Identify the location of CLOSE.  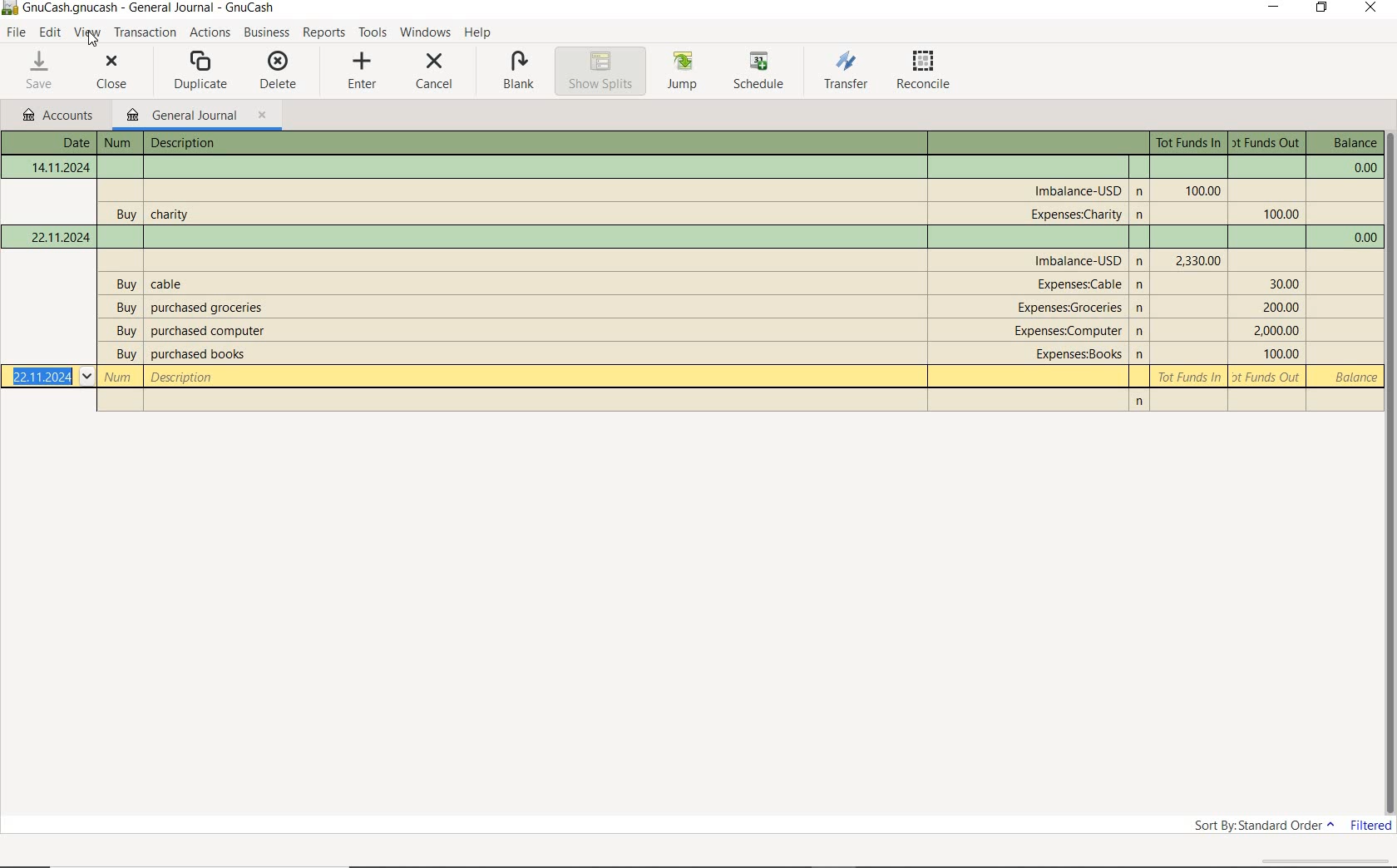
(113, 72).